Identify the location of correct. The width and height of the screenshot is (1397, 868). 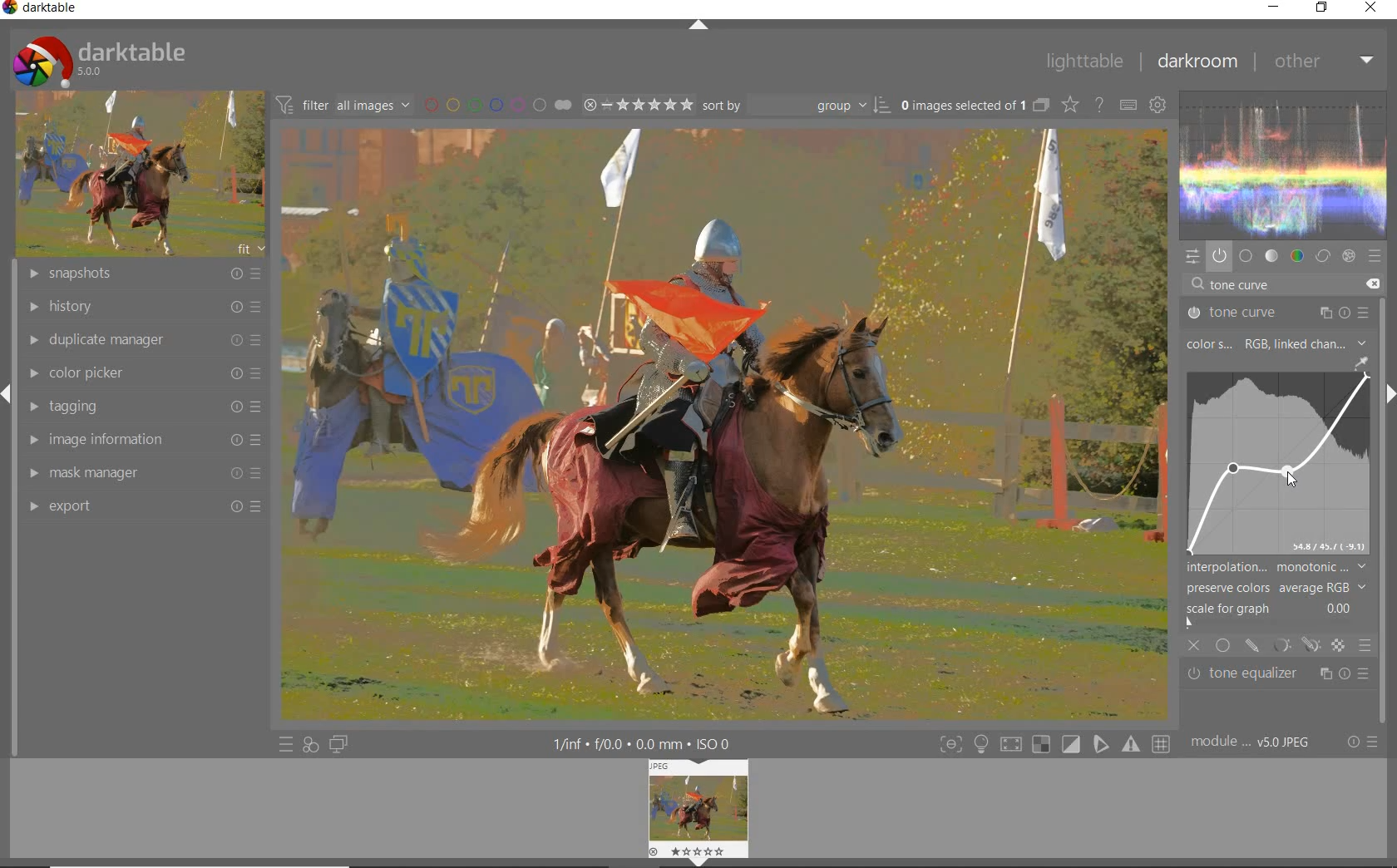
(1323, 256).